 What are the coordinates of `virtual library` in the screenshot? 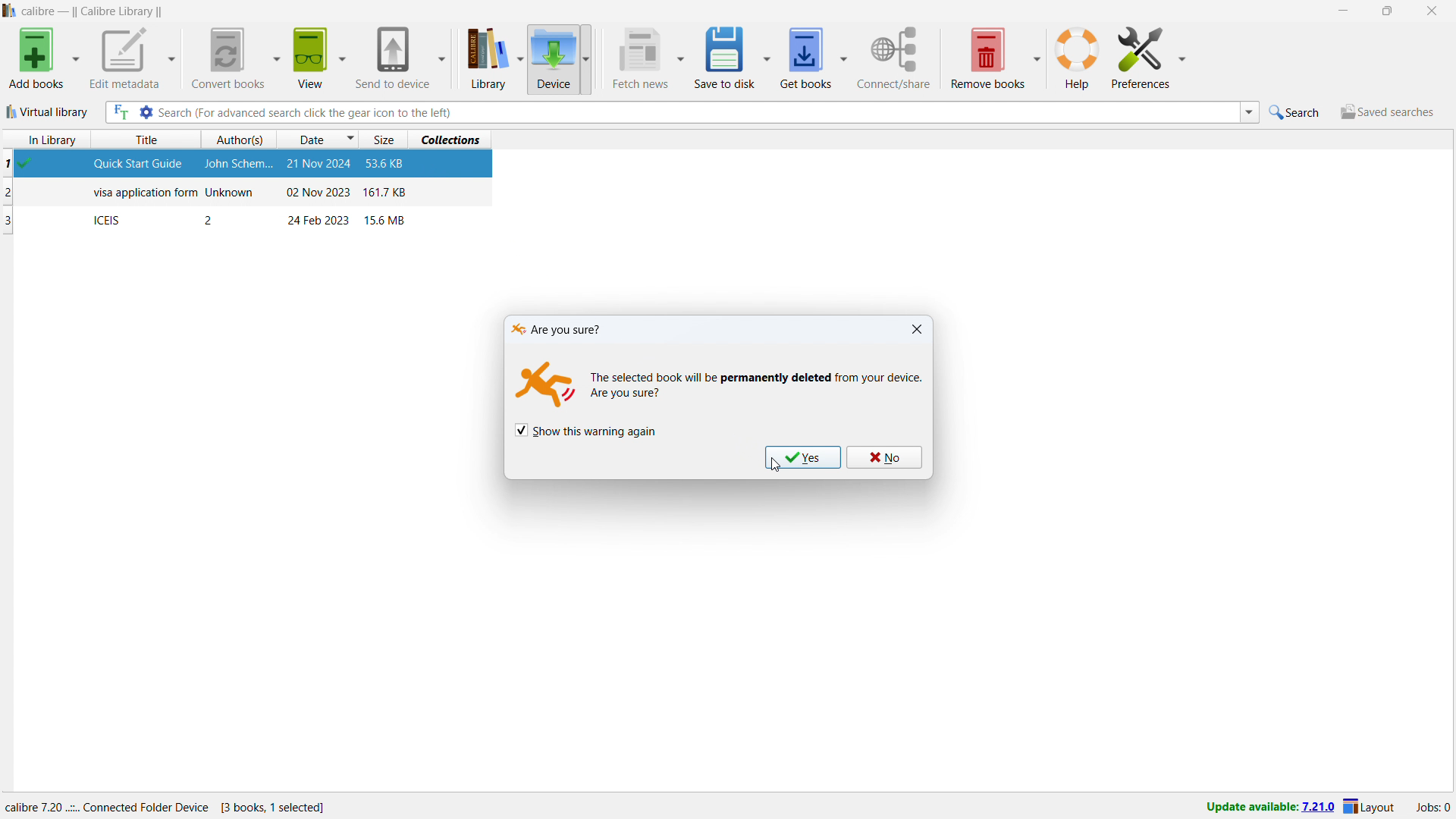 It's located at (48, 111).